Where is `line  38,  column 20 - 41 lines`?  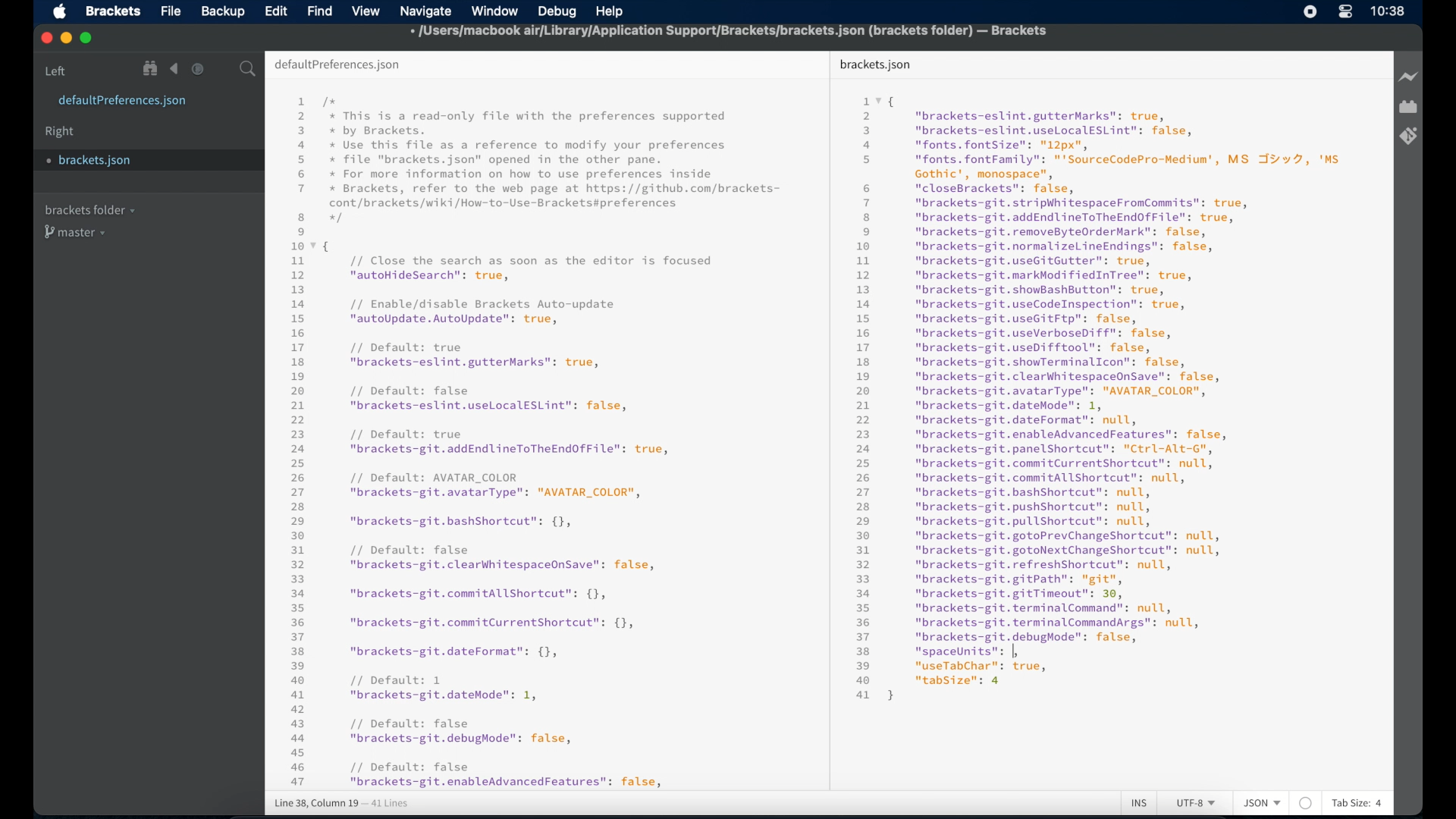
line  38,  column 20 - 41 lines is located at coordinates (342, 804).